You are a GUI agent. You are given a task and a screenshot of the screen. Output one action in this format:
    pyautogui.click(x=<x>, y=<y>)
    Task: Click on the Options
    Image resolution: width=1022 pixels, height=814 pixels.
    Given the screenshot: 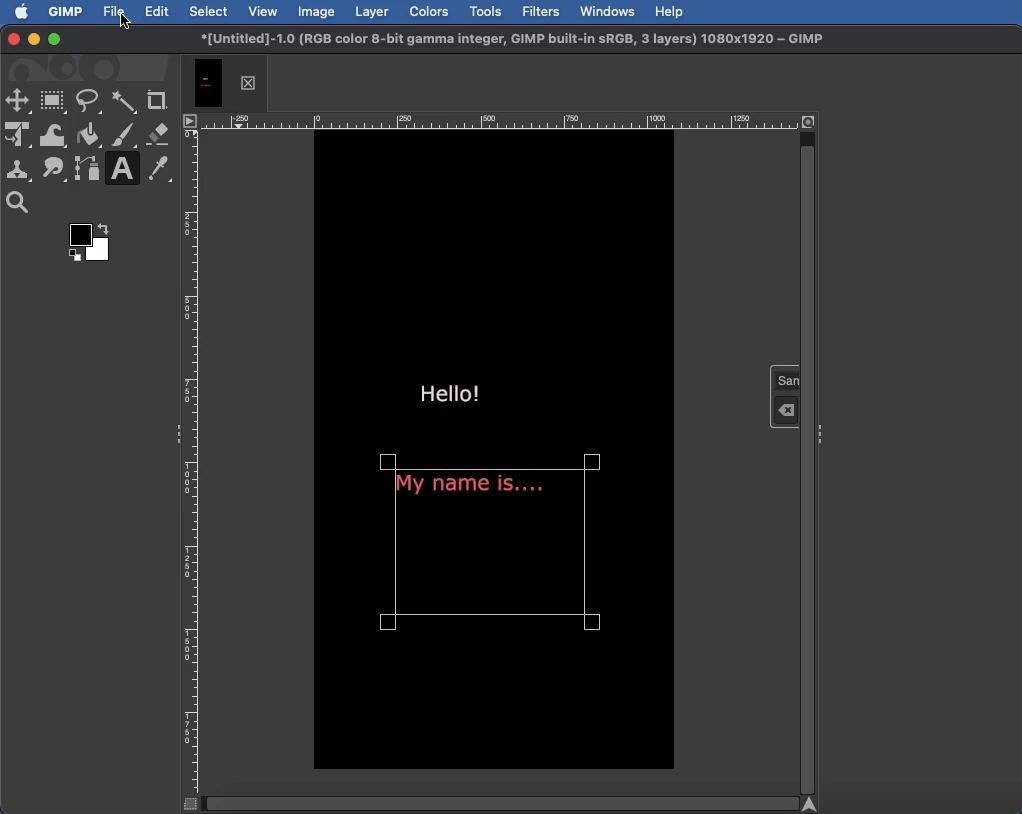 What is the action you would take?
    pyautogui.click(x=822, y=434)
    